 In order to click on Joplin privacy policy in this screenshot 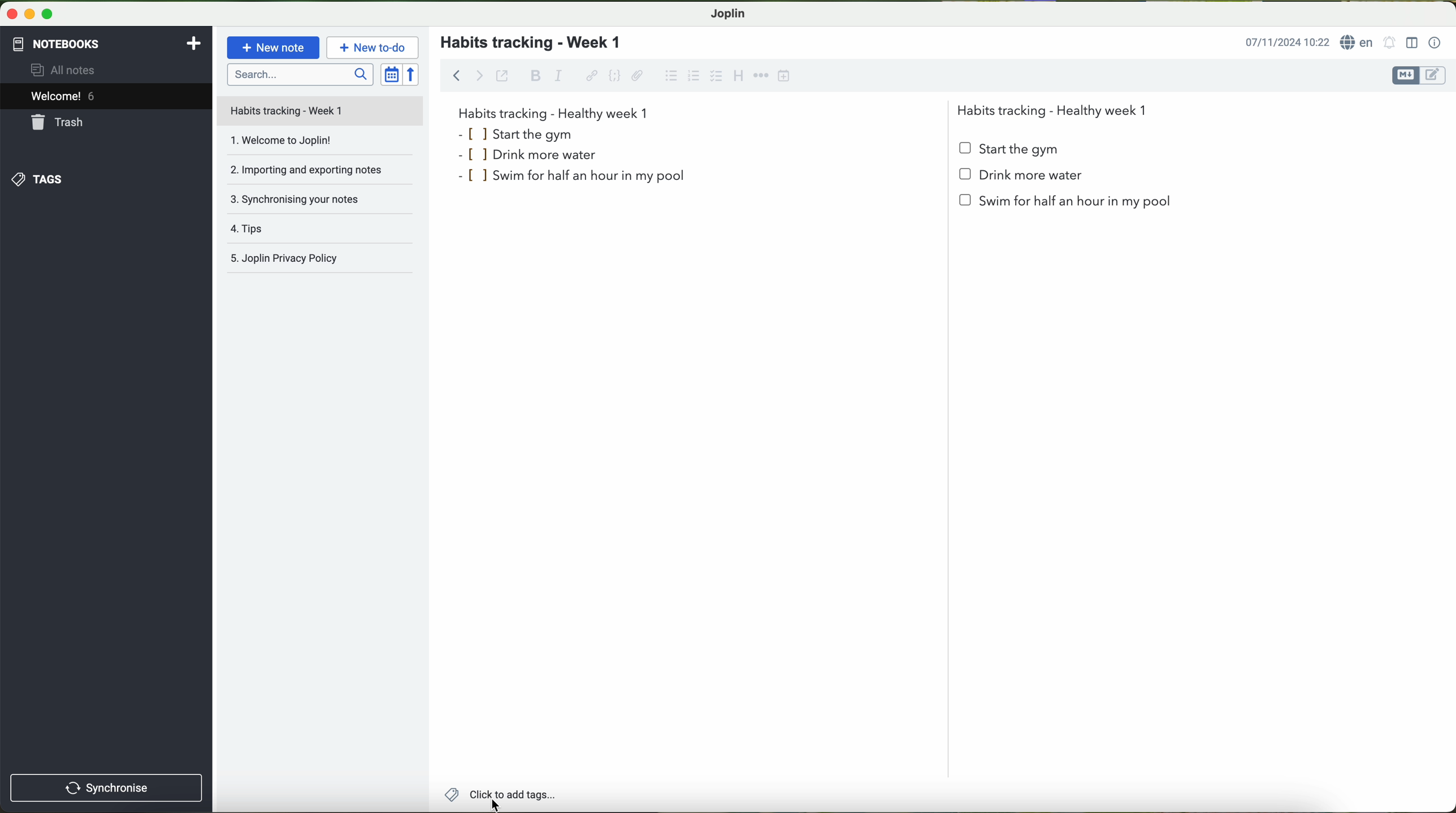, I will do `click(321, 260)`.